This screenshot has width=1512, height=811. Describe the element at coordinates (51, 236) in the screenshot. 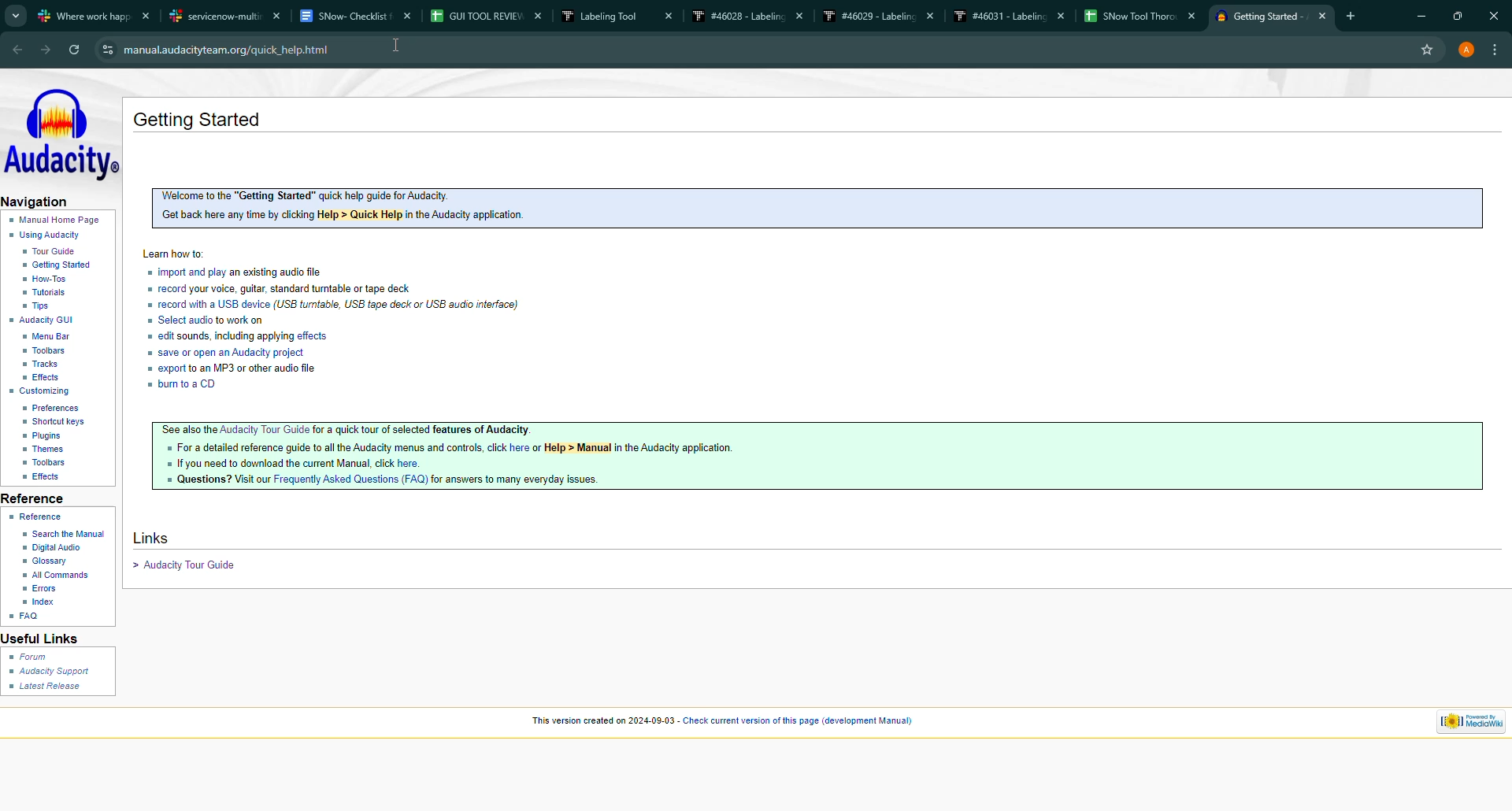

I see `using` at that location.